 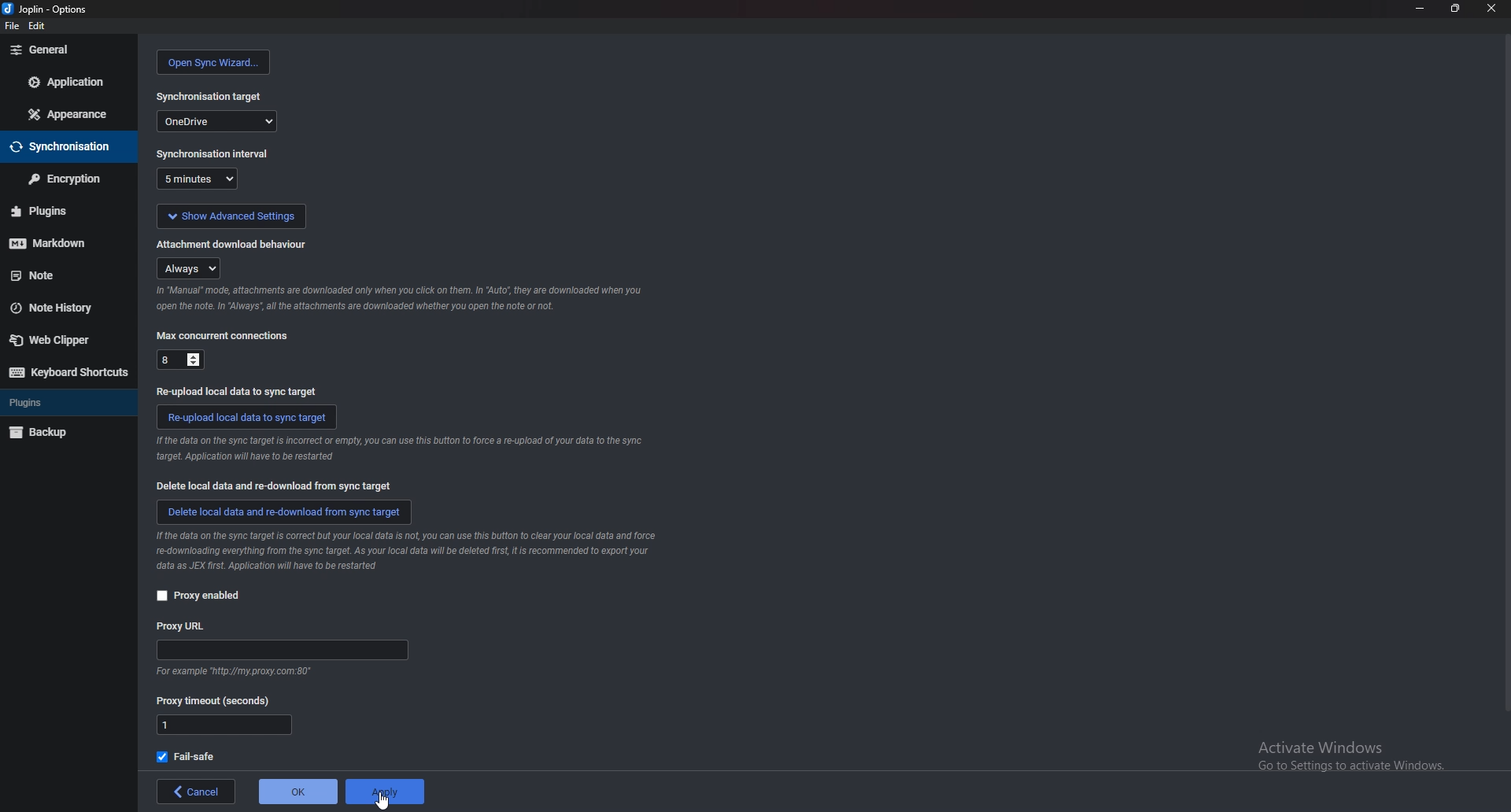 What do you see at coordinates (1503, 383) in the screenshot?
I see `scroll bar` at bounding box center [1503, 383].